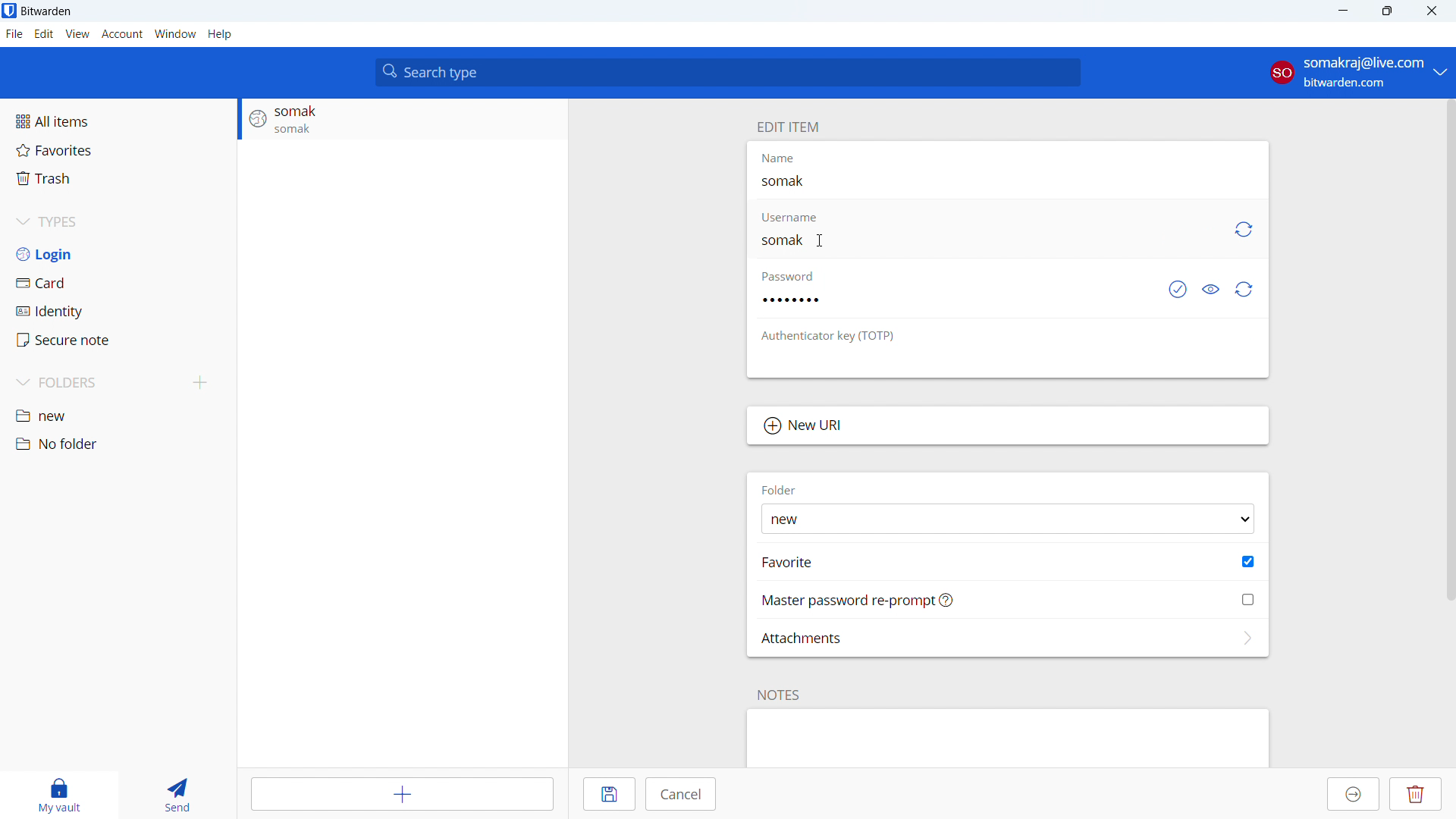  Describe the element at coordinates (785, 160) in the screenshot. I see `Name` at that location.